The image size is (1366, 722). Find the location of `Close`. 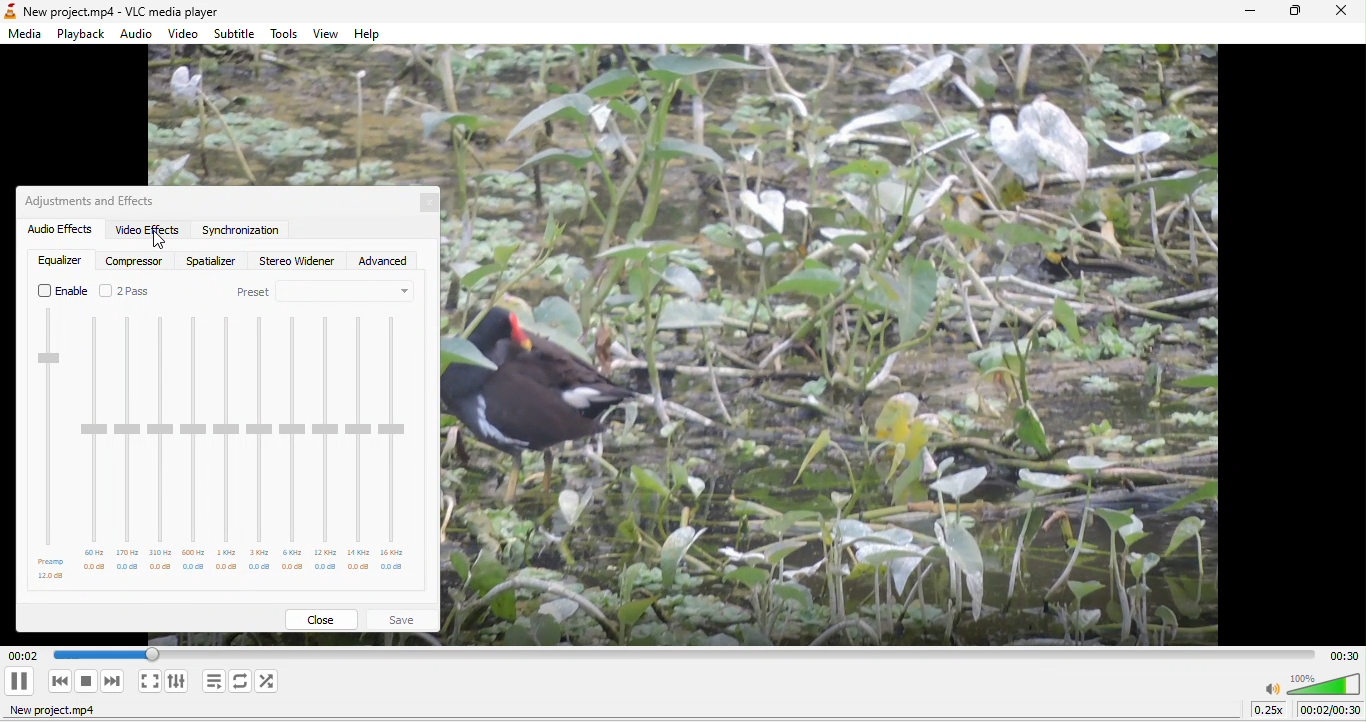

Close is located at coordinates (434, 205).